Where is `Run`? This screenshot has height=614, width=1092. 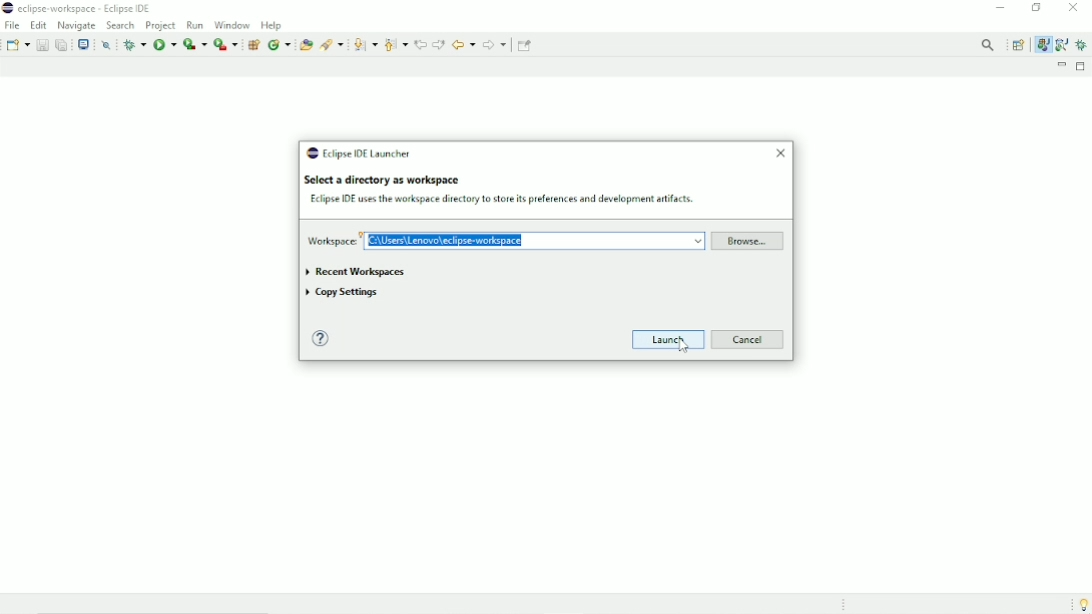
Run is located at coordinates (165, 45).